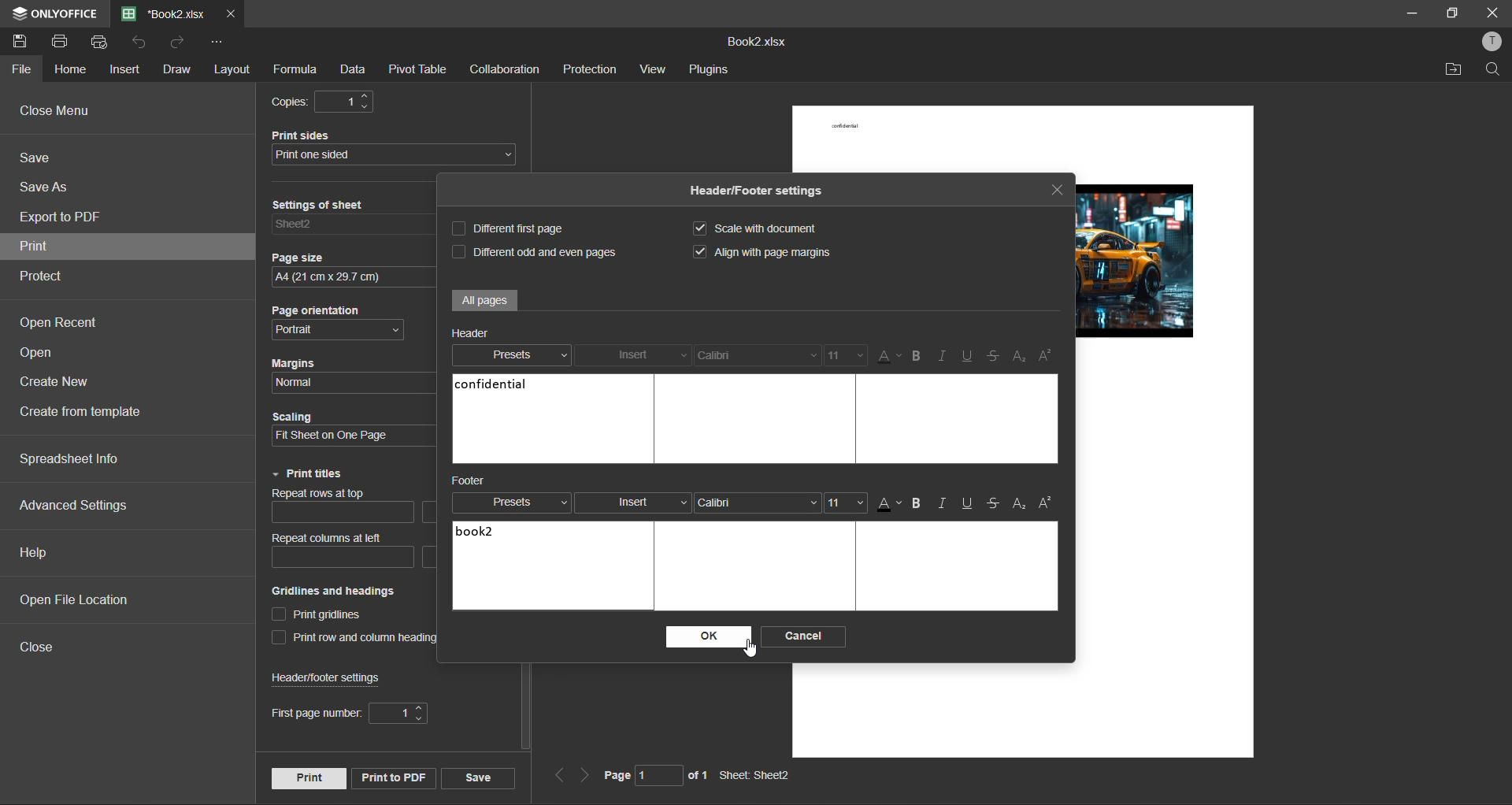 The height and width of the screenshot is (805, 1512). Describe the element at coordinates (891, 356) in the screenshot. I see `font color` at that location.